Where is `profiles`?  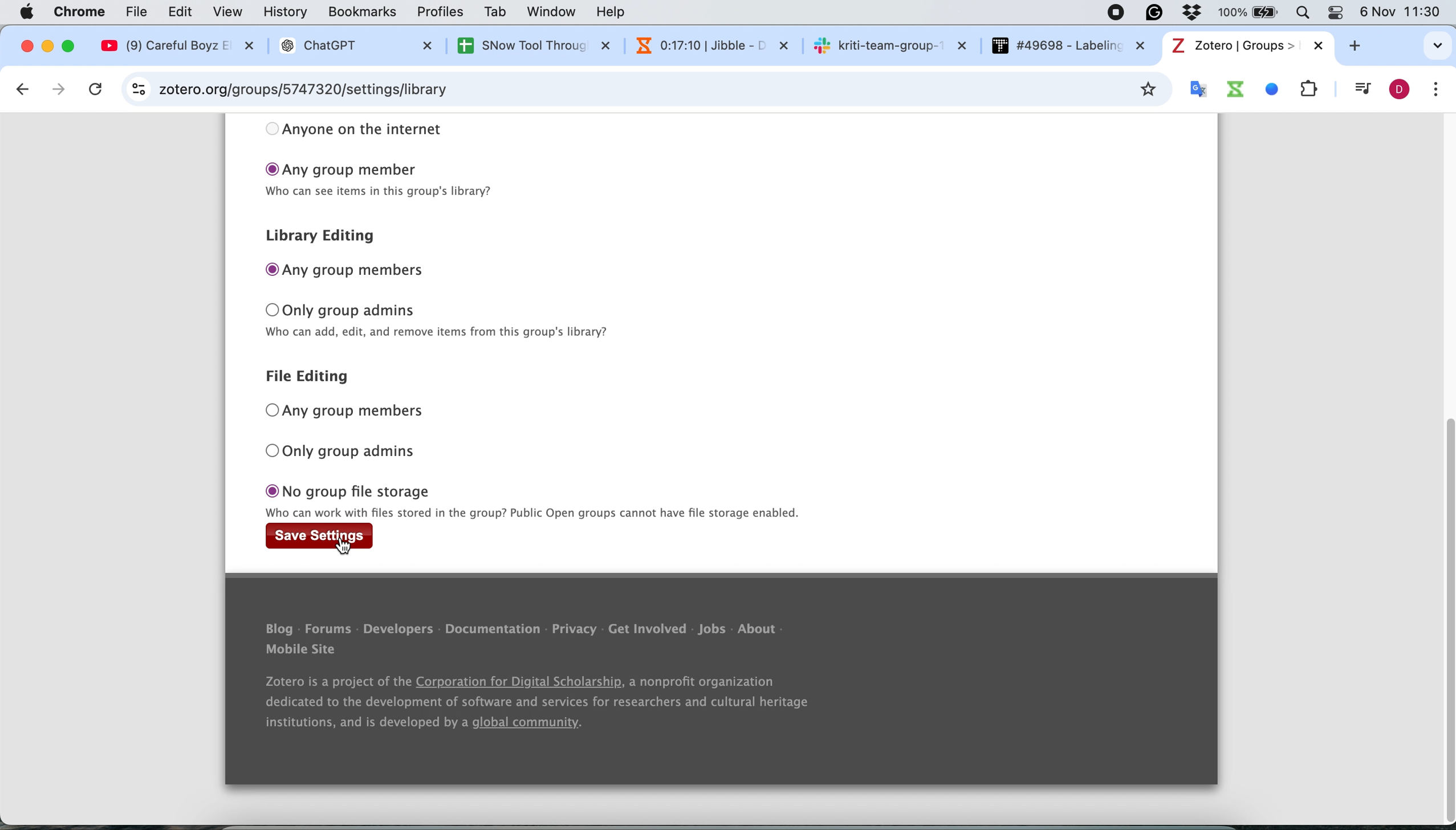 profiles is located at coordinates (442, 11).